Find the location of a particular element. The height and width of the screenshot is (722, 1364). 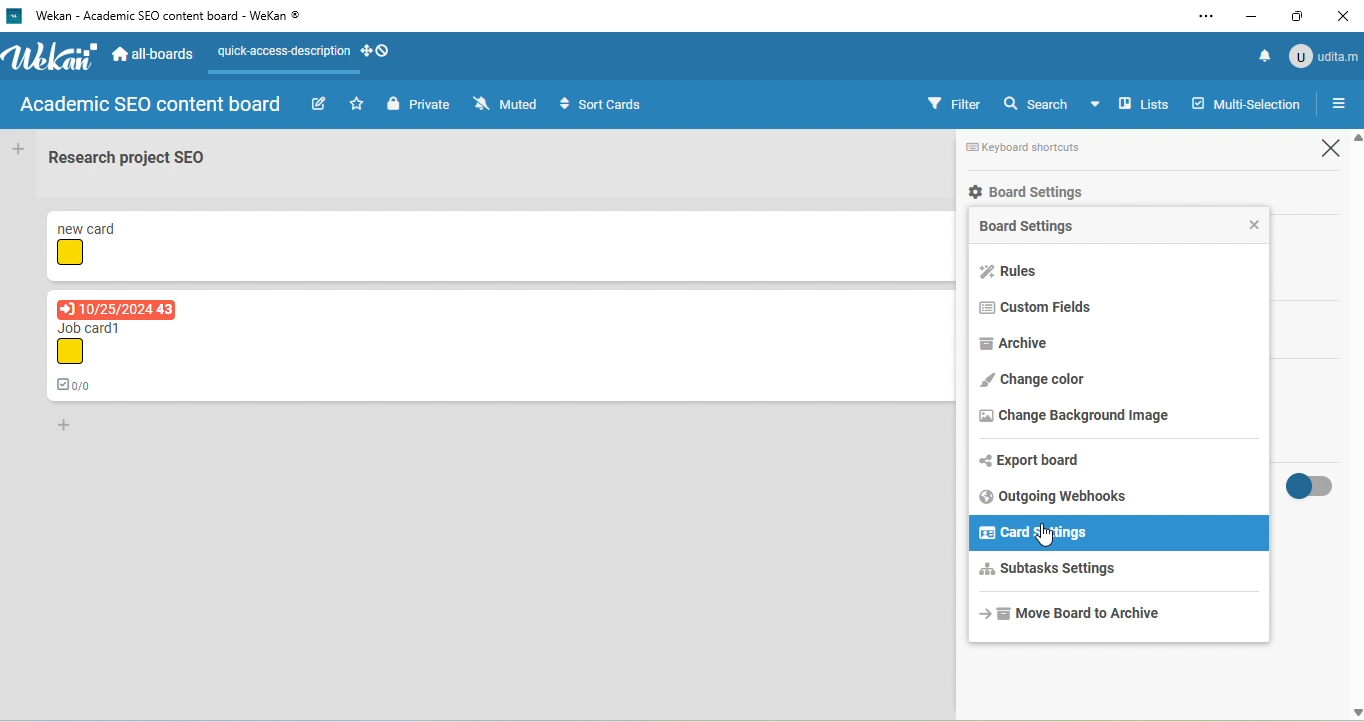

sort cards is located at coordinates (601, 104).